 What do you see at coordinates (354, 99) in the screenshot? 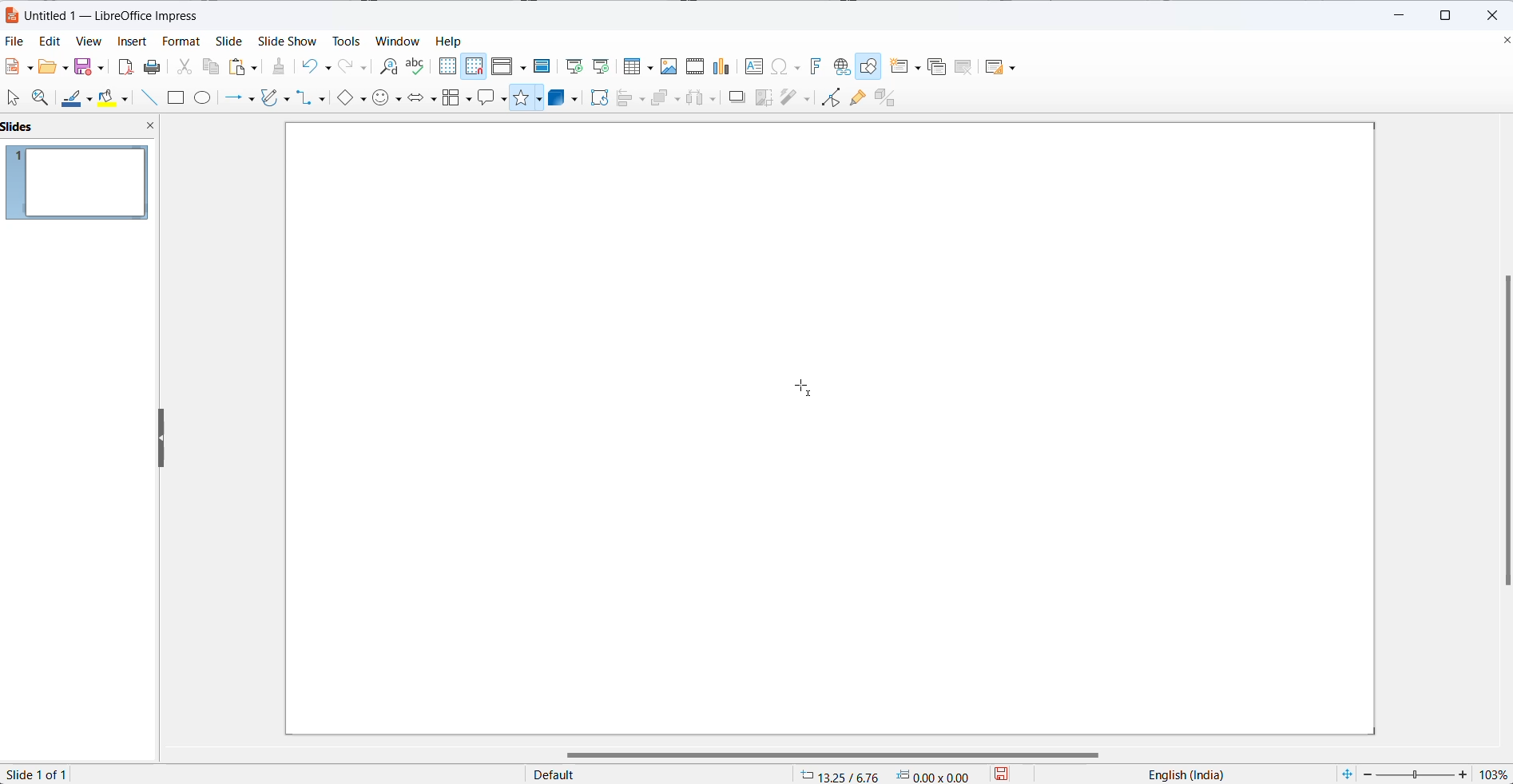
I see `basic shapes` at bounding box center [354, 99].